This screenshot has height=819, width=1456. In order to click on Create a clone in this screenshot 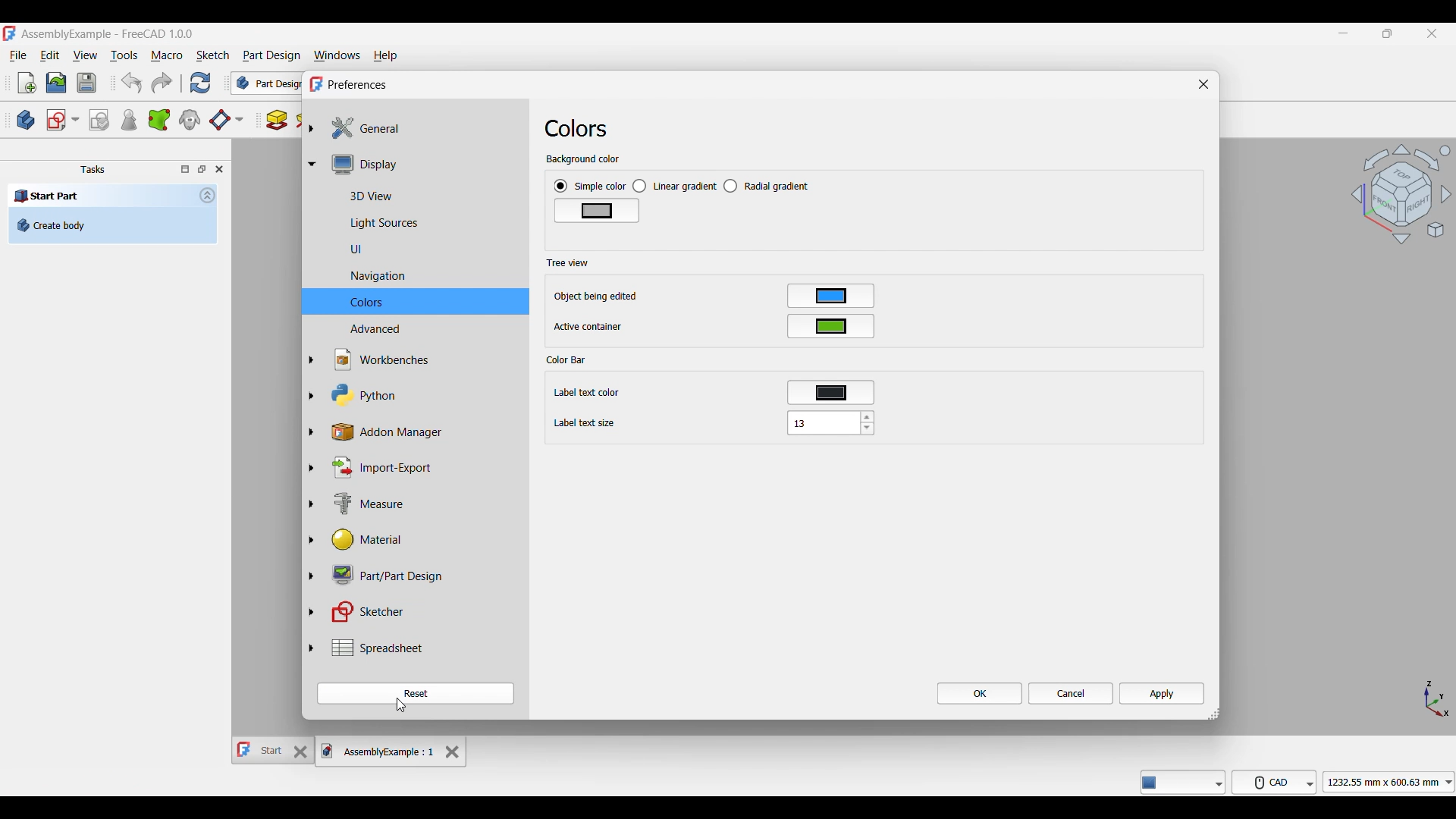, I will do `click(189, 120)`.